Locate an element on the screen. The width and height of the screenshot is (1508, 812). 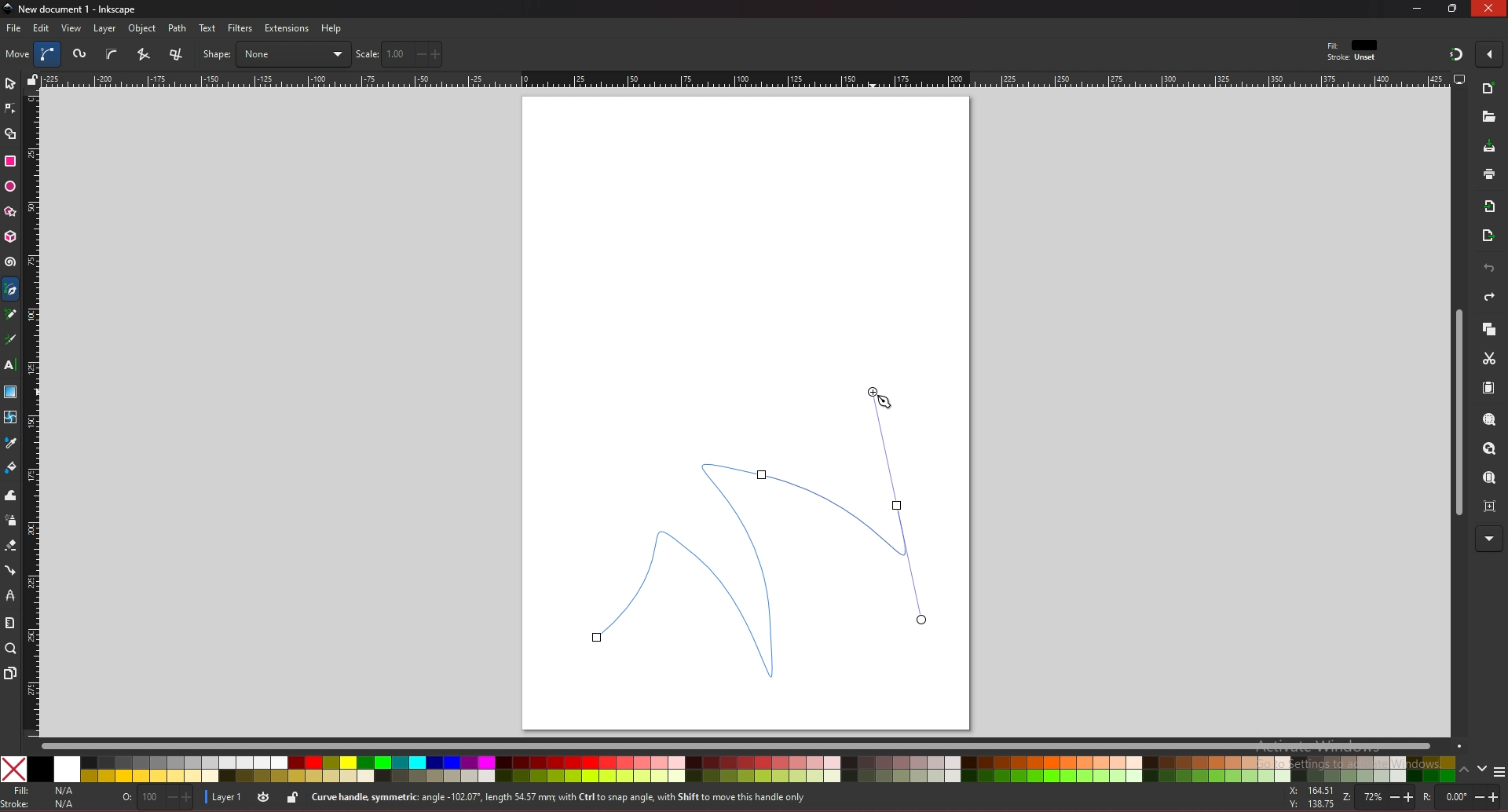
lock guides is located at coordinates (32, 79).